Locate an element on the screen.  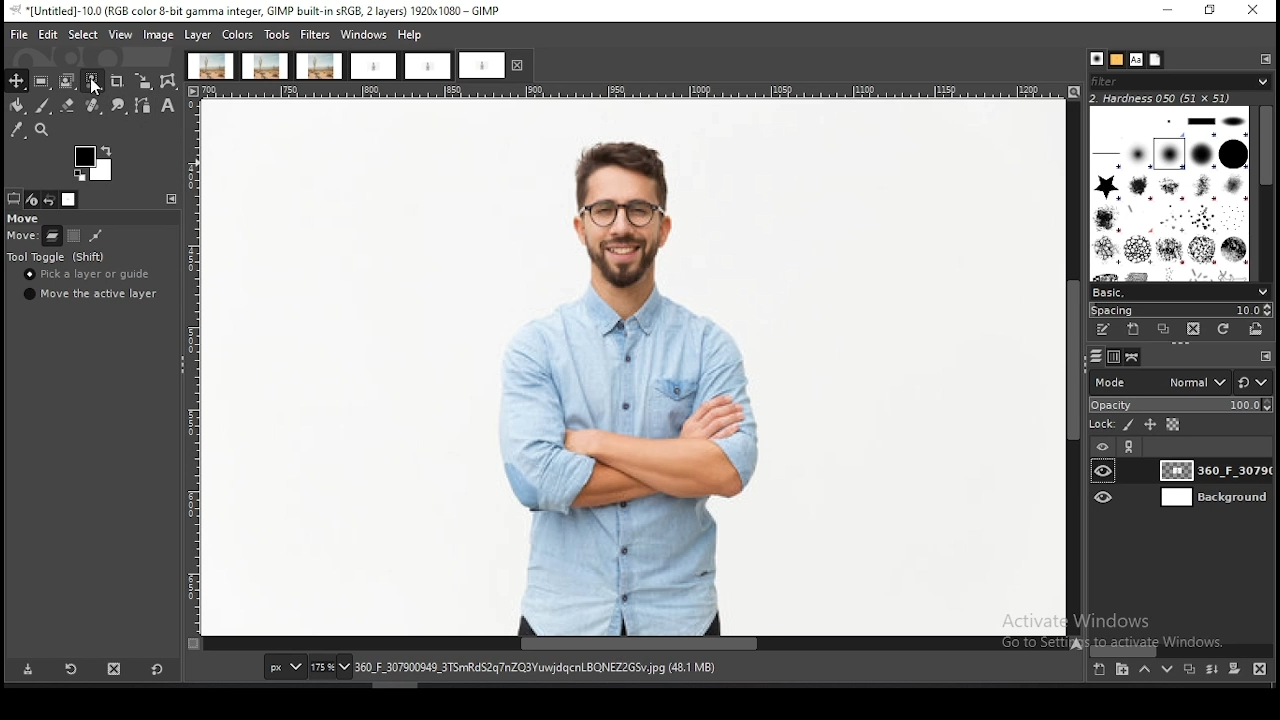
brushes is located at coordinates (1171, 193).